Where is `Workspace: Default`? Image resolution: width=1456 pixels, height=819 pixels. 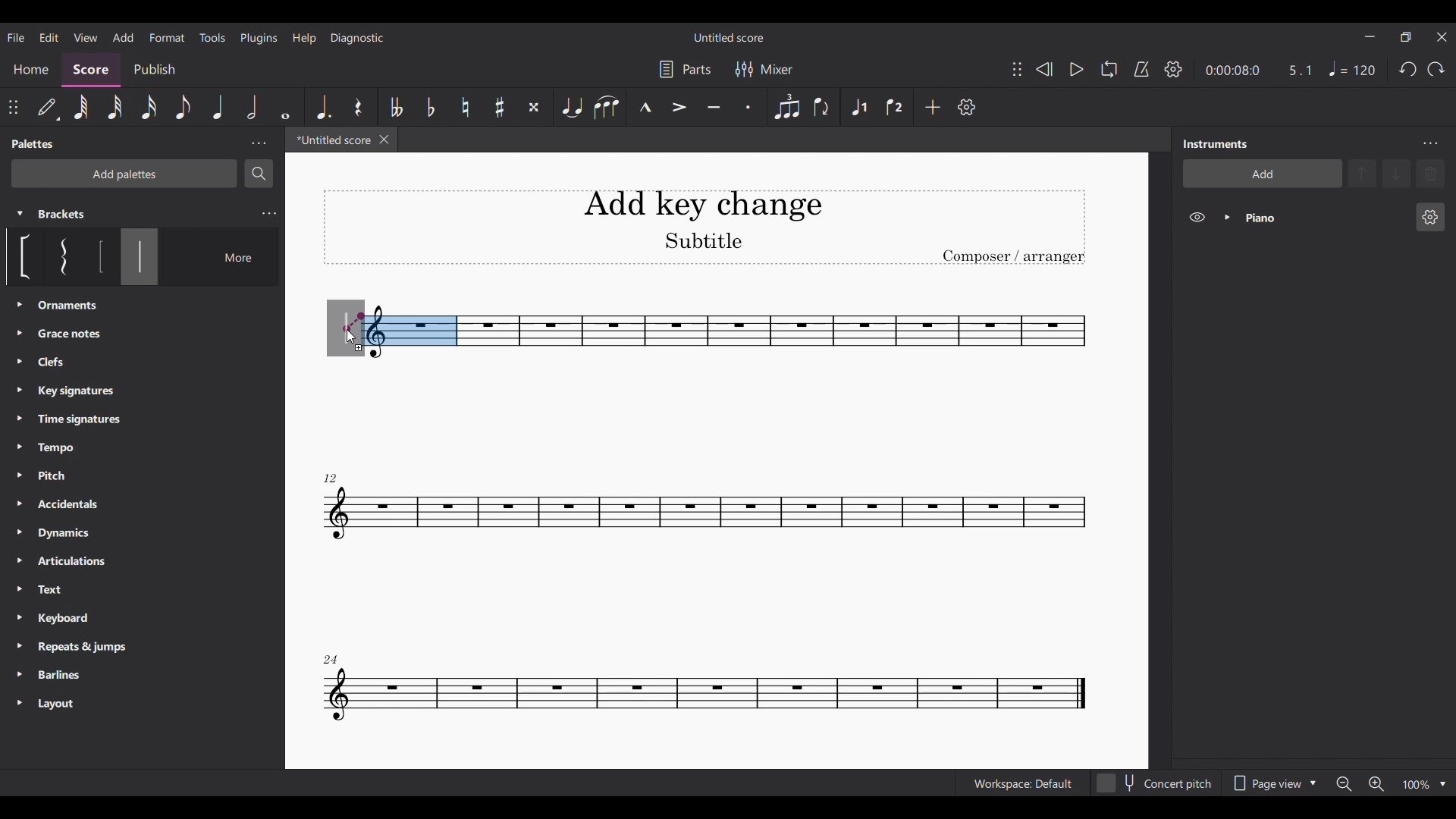
Workspace: Default is located at coordinates (1023, 783).